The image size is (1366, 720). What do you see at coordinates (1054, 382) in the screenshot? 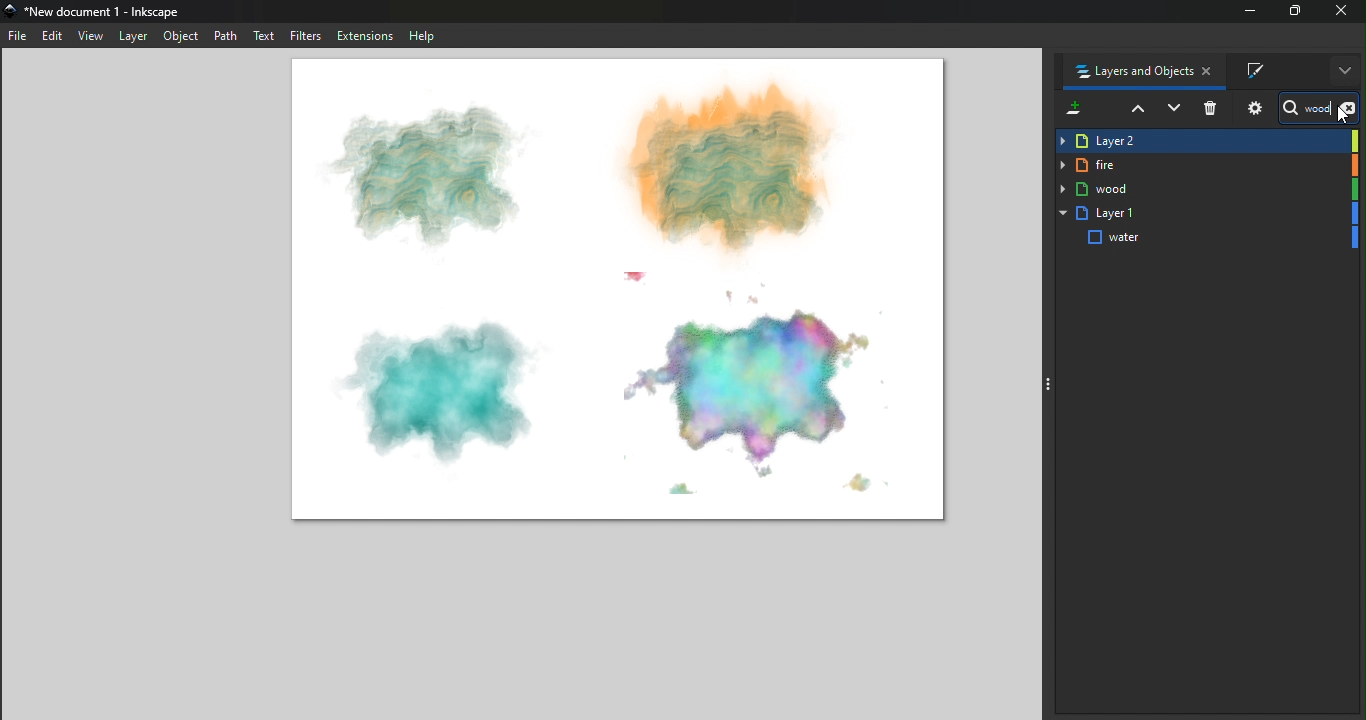
I see `Toggle command panel` at bounding box center [1054, 382].